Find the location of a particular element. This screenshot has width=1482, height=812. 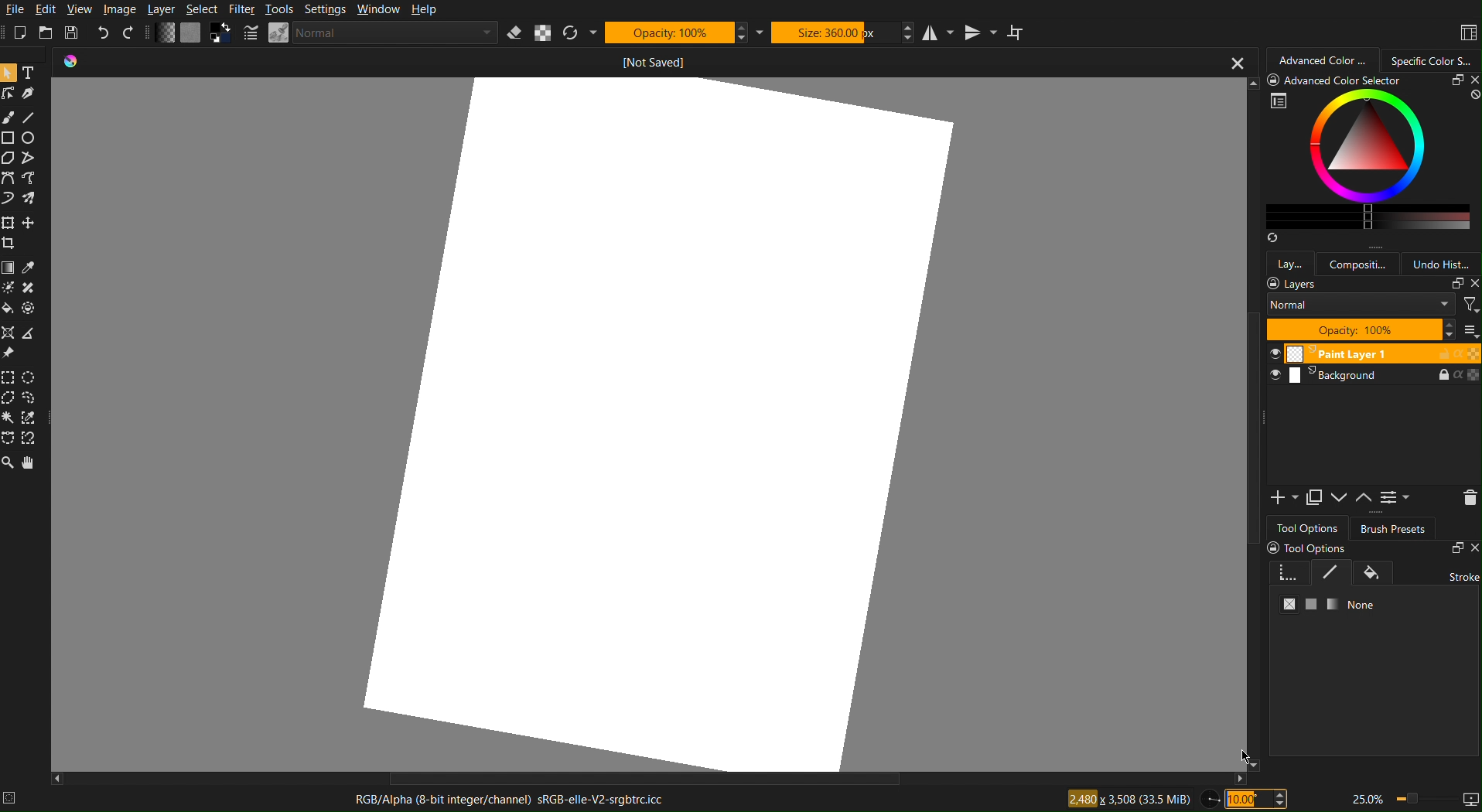

close is located at coordinates (1238, 60).